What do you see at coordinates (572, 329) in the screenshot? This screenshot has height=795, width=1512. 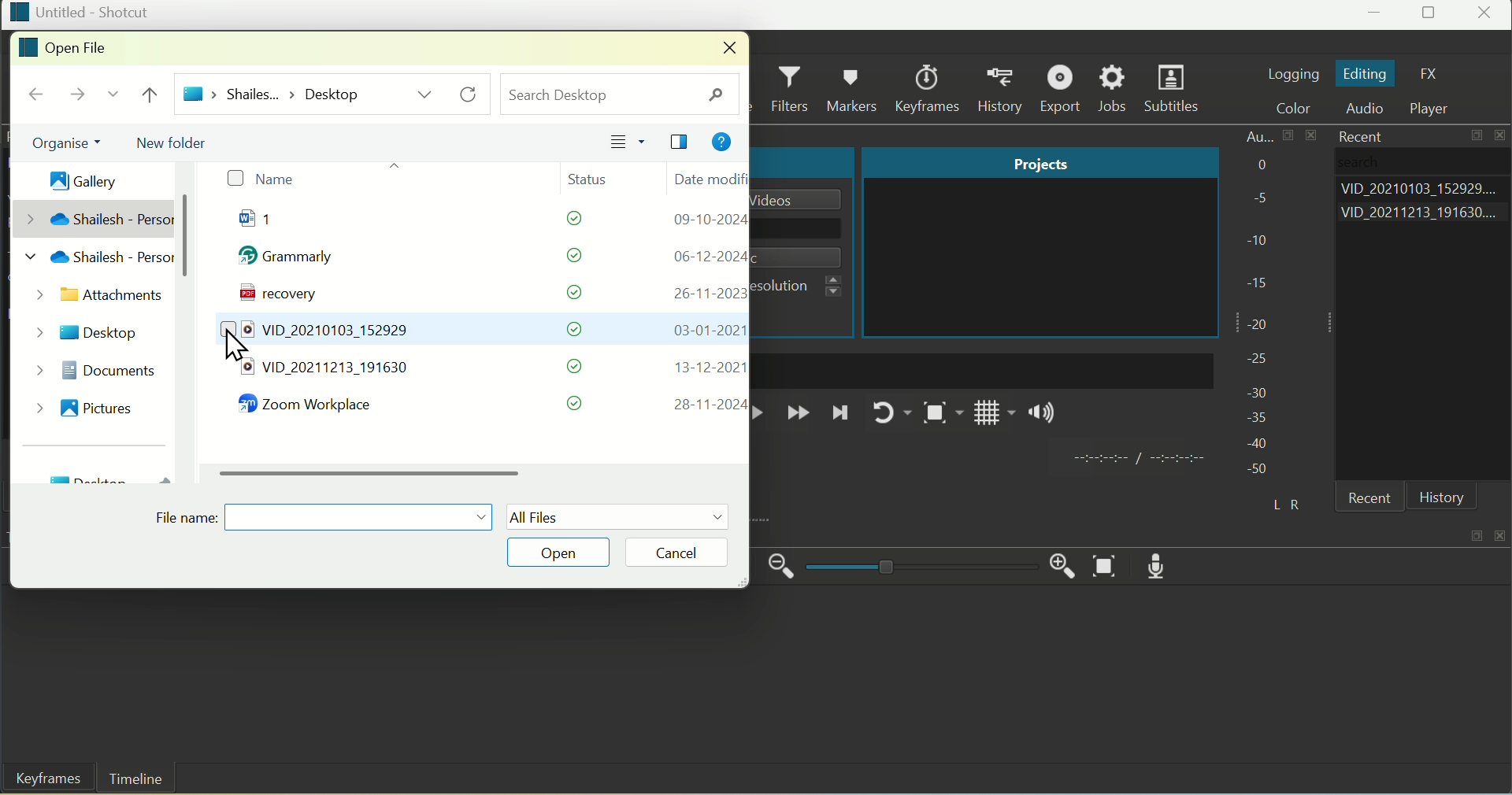 I see `status` at bounding box center [572, 329].